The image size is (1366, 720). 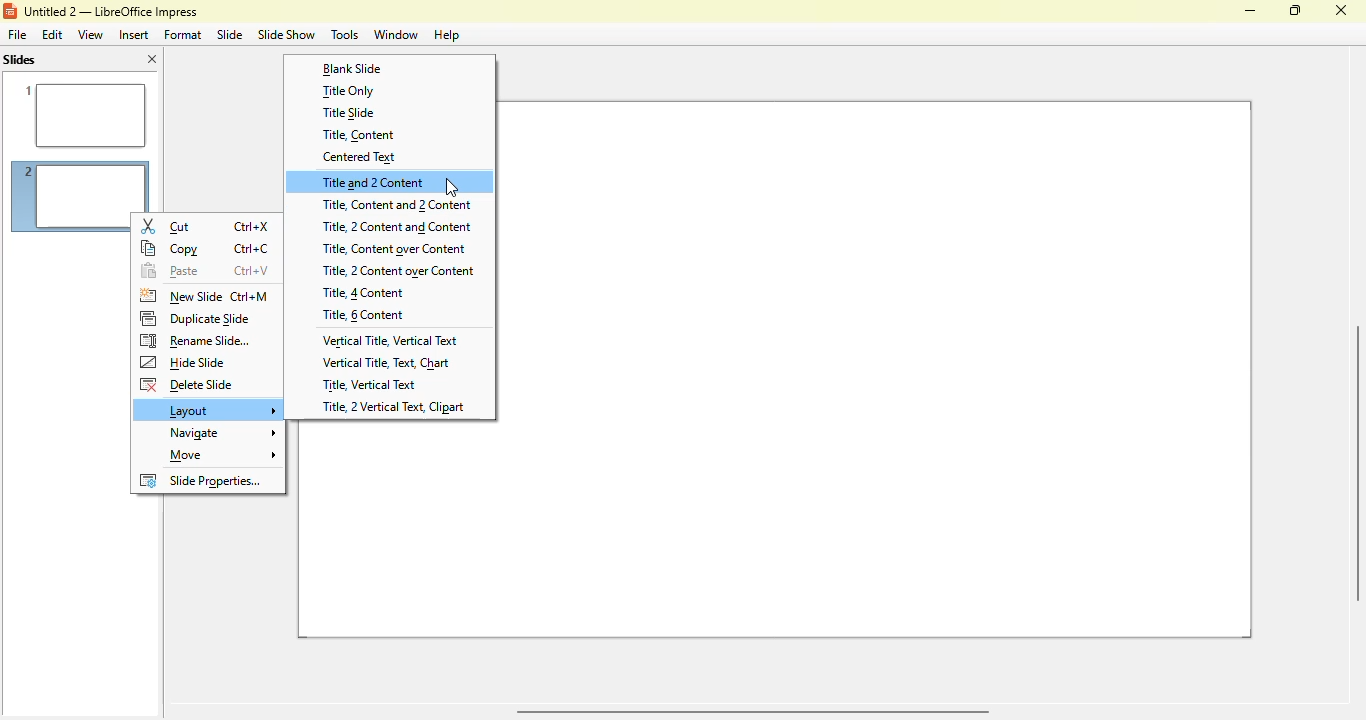 What do you see at coordinates (196, 340) in the screenshot?
I see `rename slide` at bounding box center [196, 340].